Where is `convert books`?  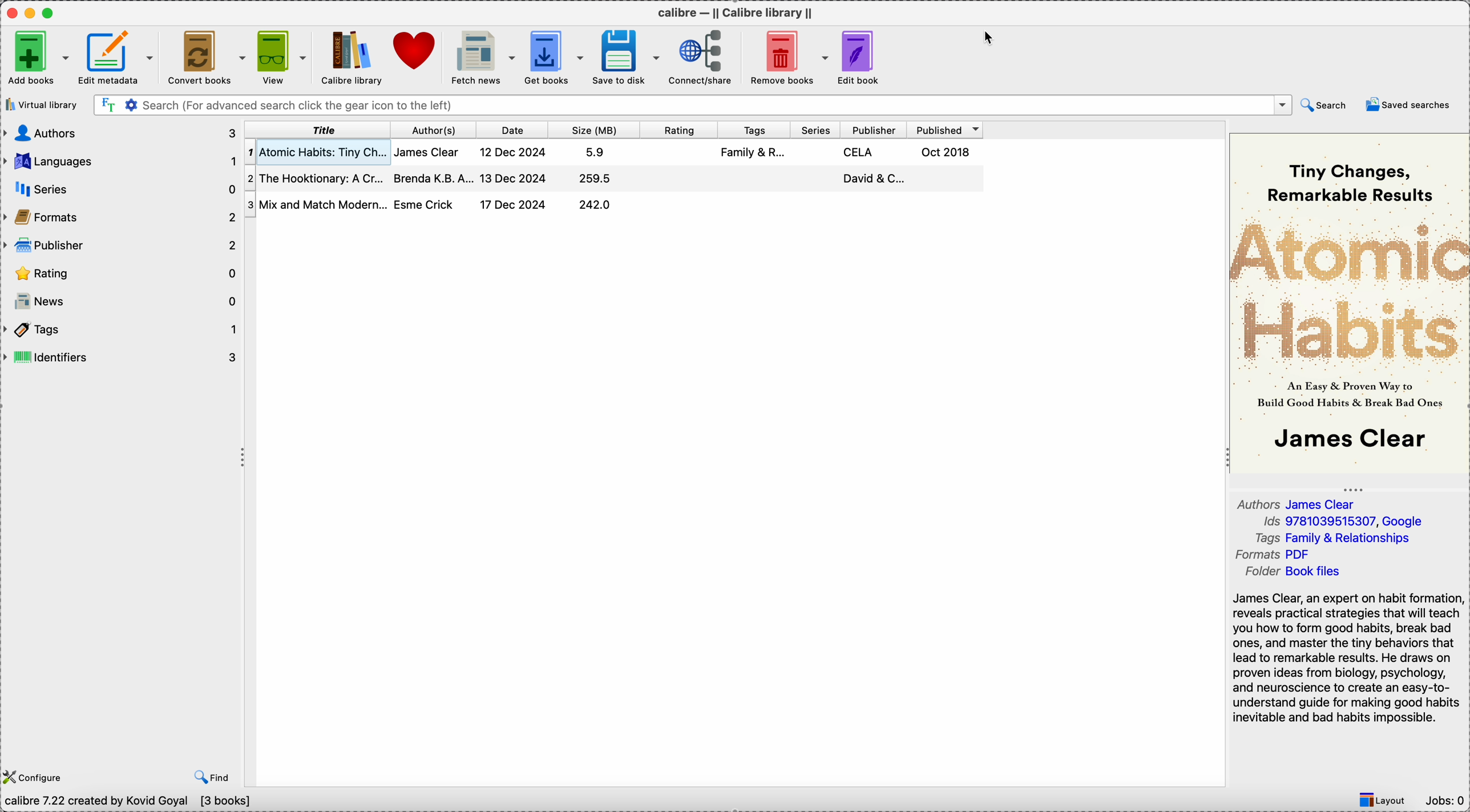
convert books is located at coordinates (205, 59).